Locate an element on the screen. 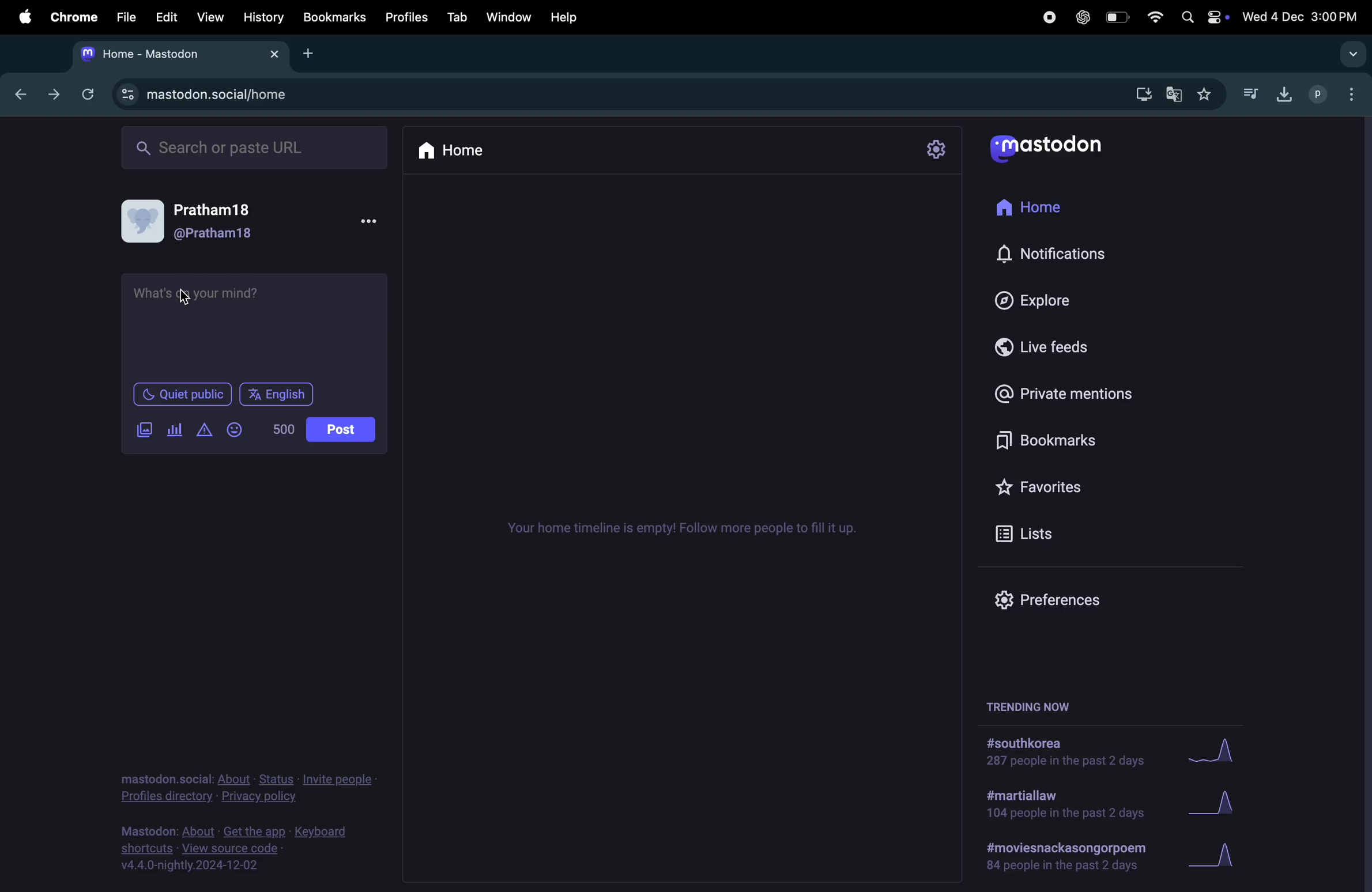  wifi is located at coordinates (1153, 18).